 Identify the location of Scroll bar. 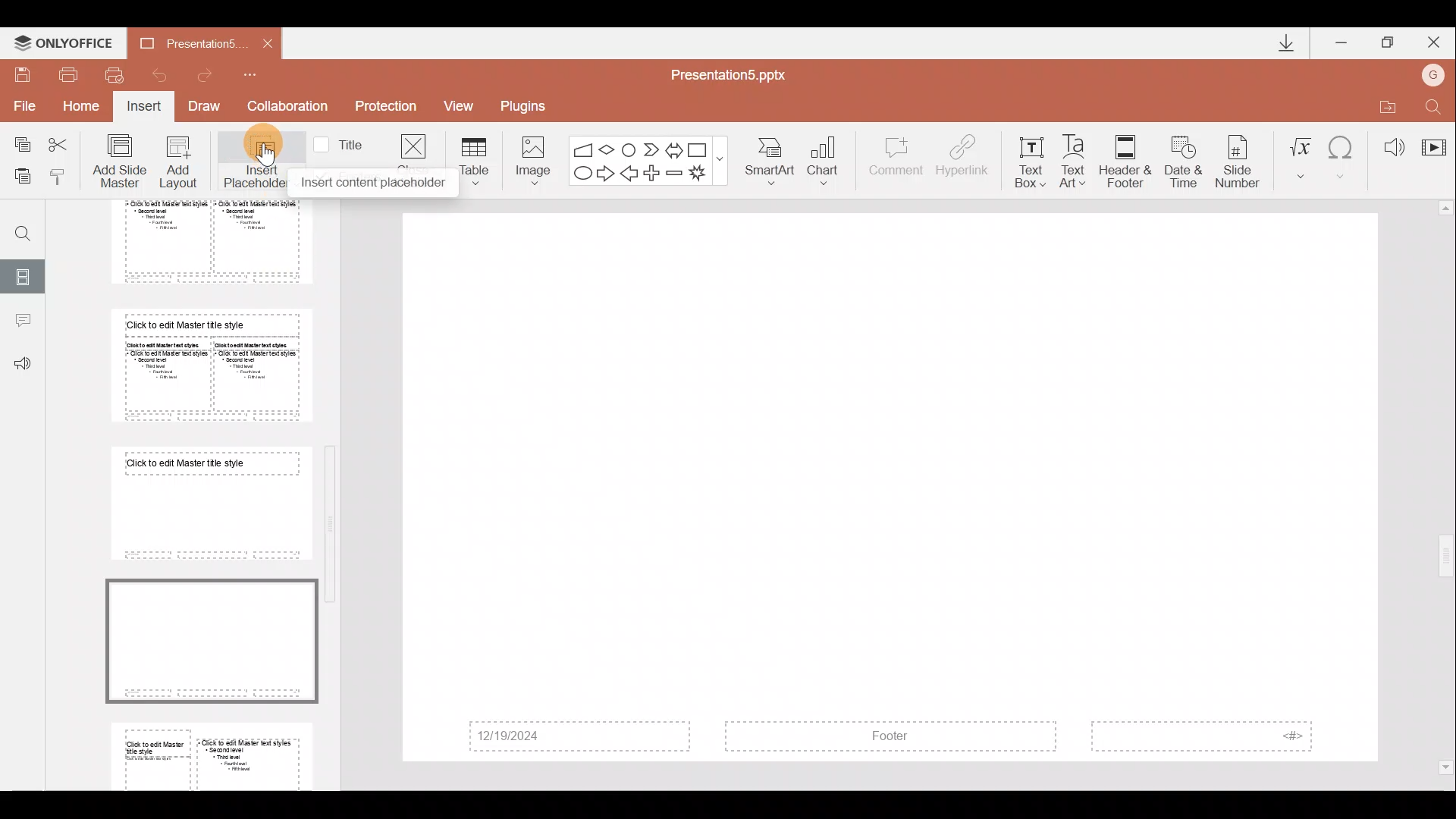
(334, 485).